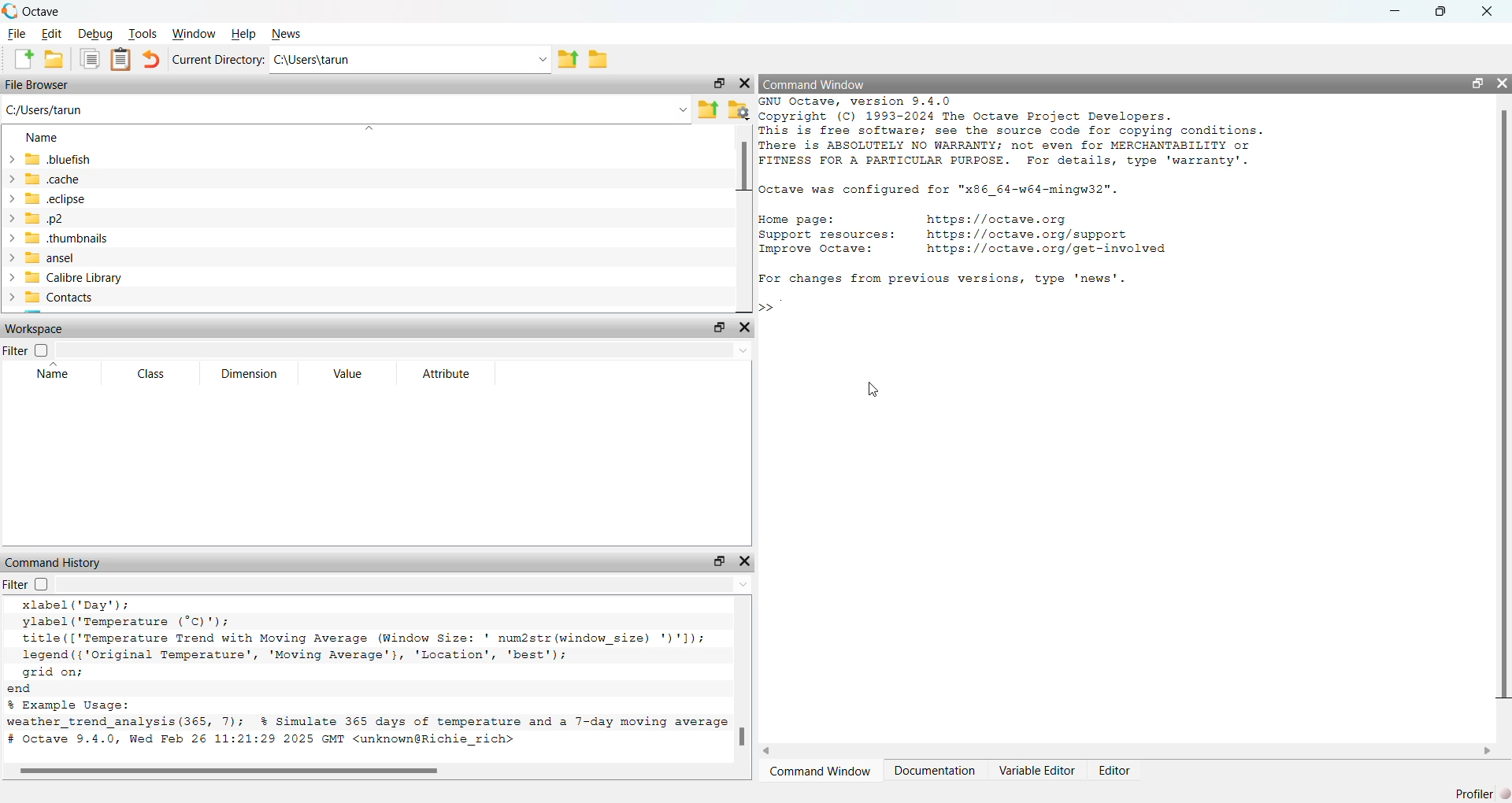 The image size is (1512, 803). What do you see at coordinates (739, 215) in the screenshot?
I see `scroll bar` at bounding box center [739, 215].